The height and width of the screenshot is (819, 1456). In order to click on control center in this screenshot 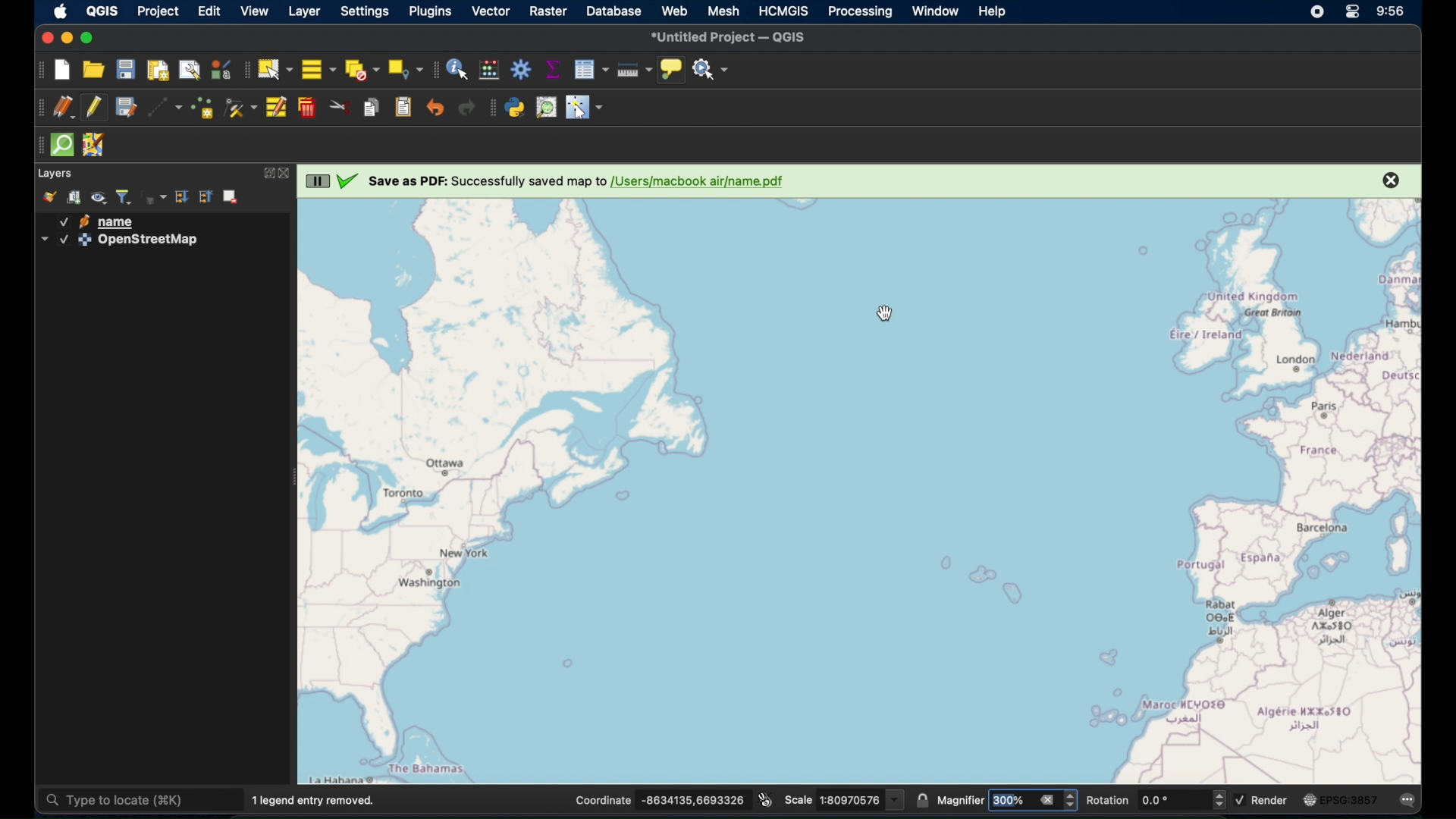, I will do `click(1354, 11)`.